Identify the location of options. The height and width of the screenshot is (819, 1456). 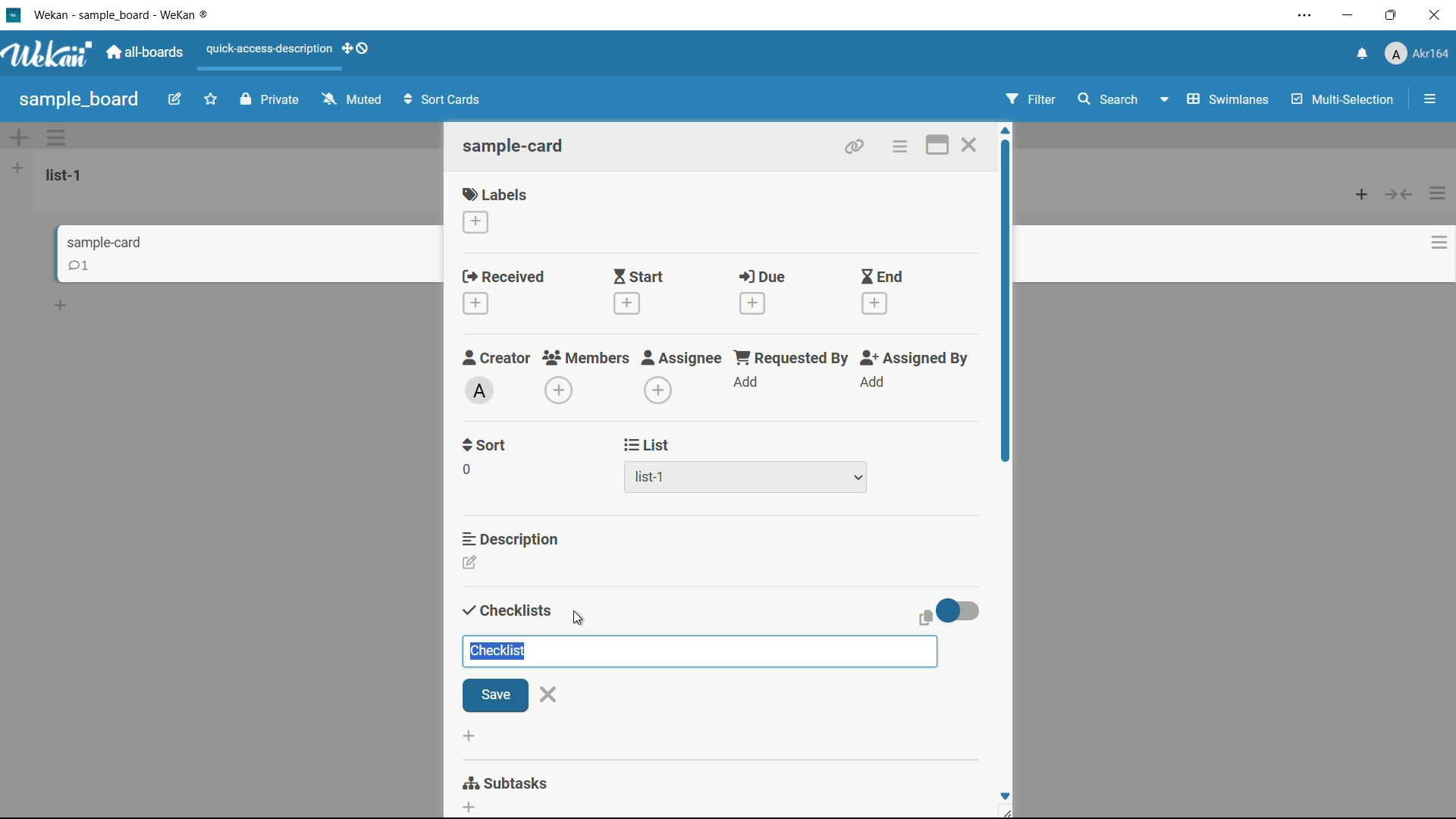
(57, 140).